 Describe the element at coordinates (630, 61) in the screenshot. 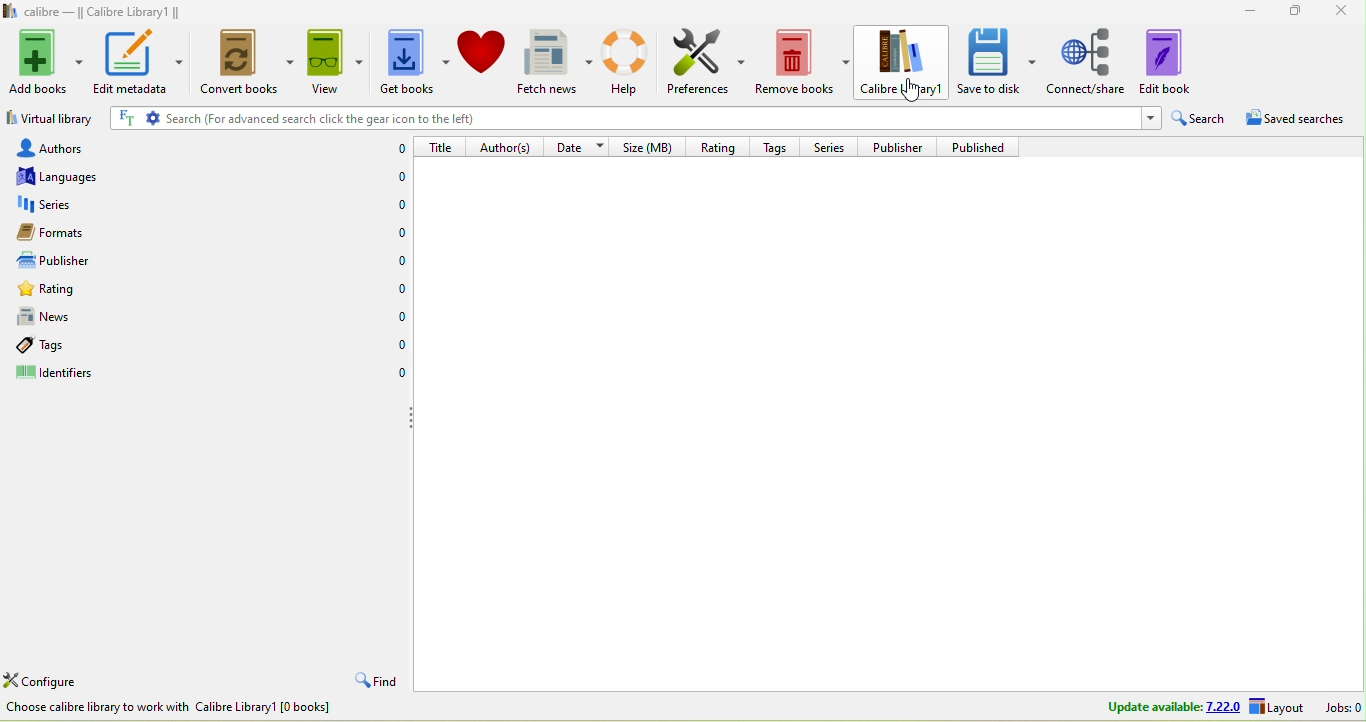

I see `help` at that location.